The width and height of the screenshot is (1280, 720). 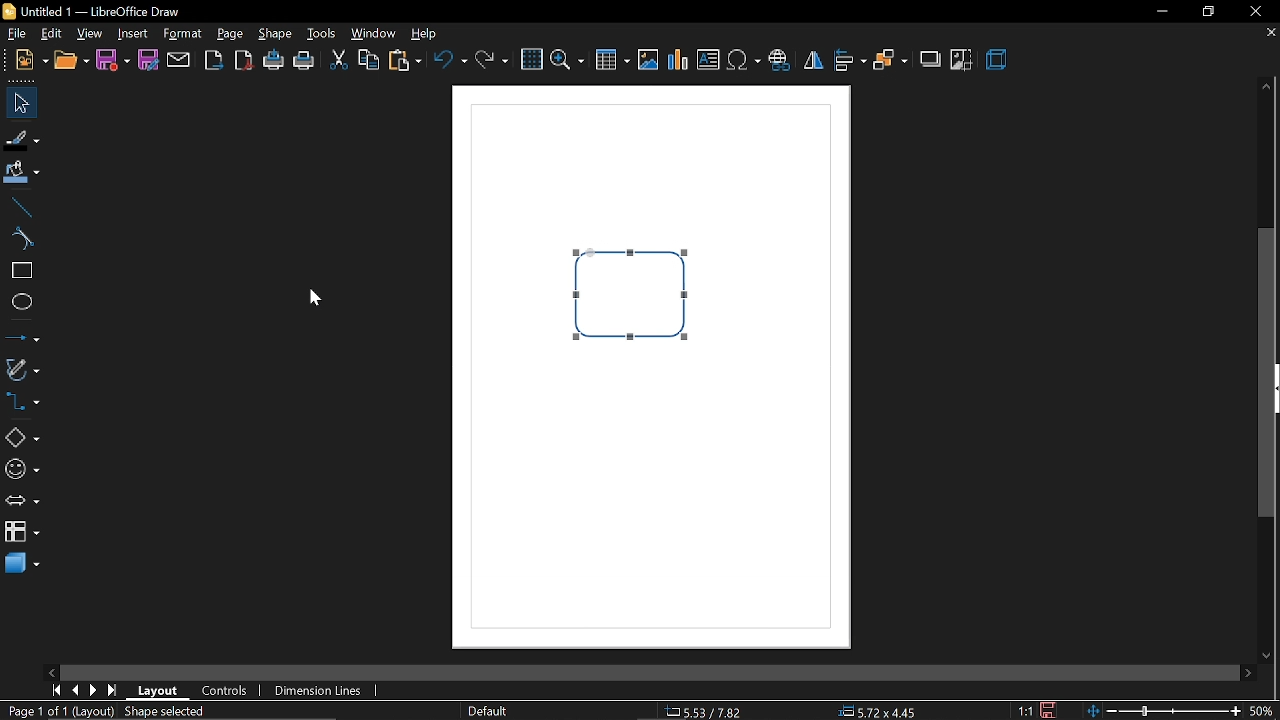 What do you see at coordinates (779, 61) in the screenshot?
I see `insert hyperlink` at bounding box center [779, 61].